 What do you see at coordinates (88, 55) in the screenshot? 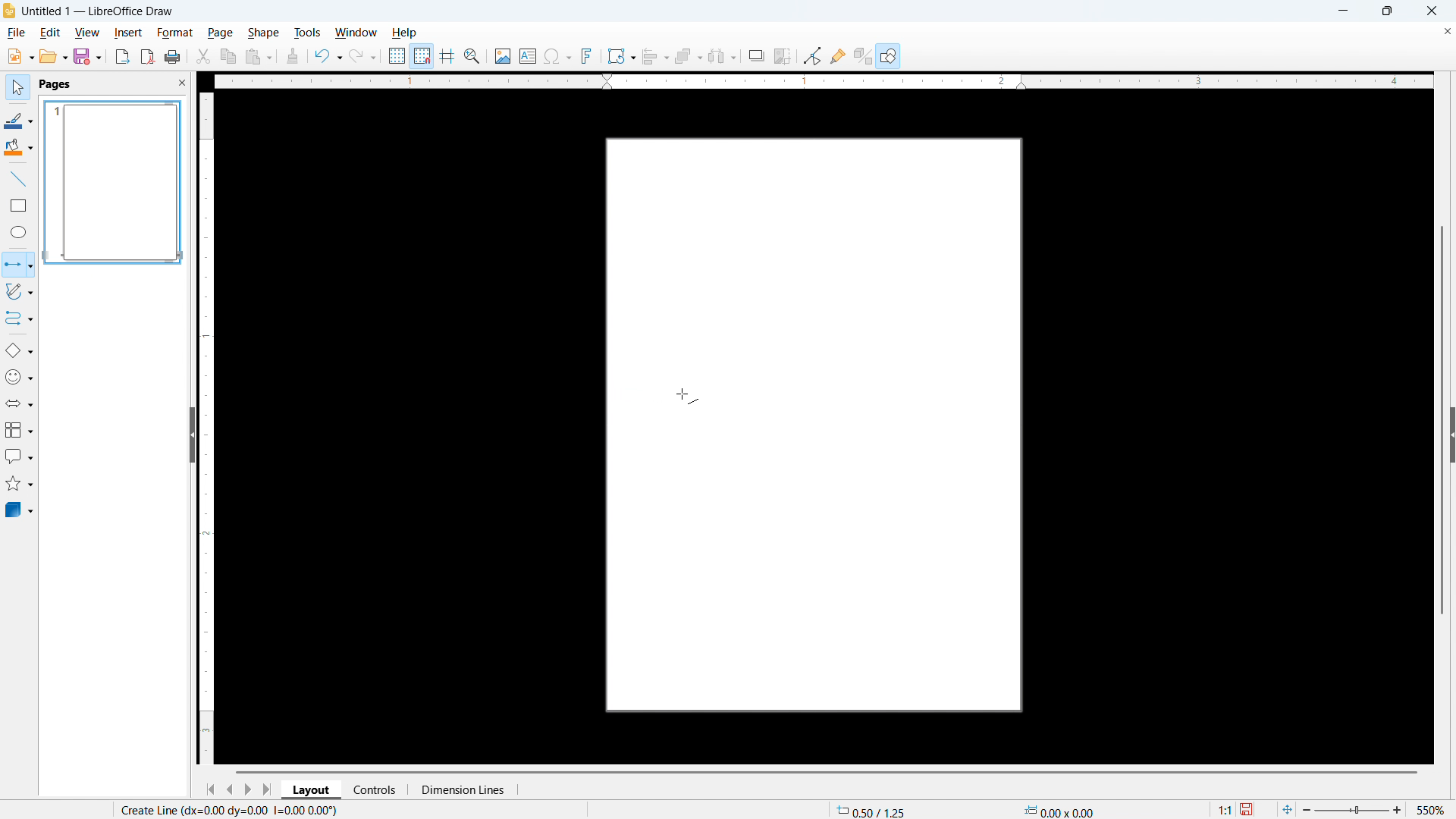
I see `save ` at bounding box center [88, 55].